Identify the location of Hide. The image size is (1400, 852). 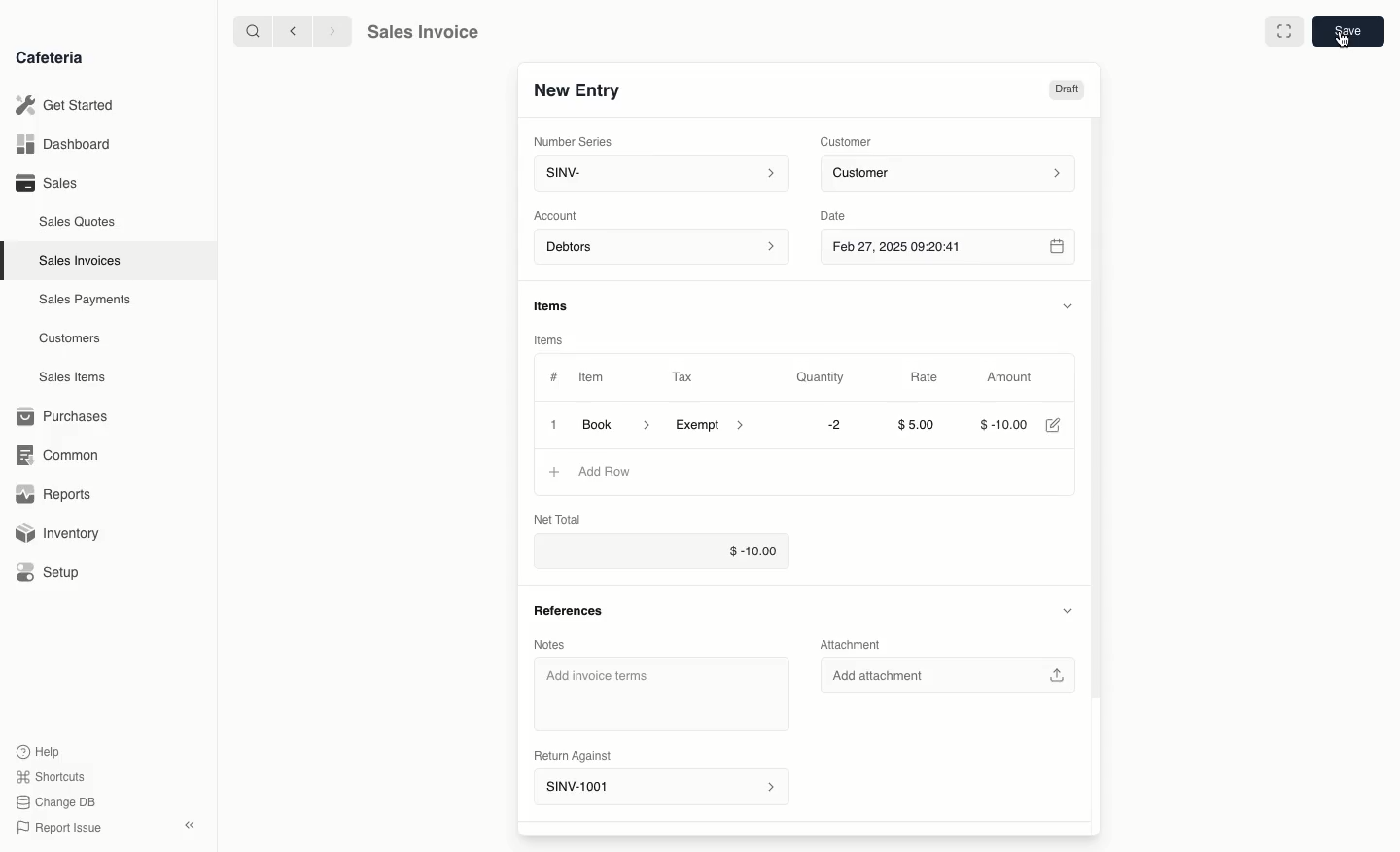
(1067, 610).